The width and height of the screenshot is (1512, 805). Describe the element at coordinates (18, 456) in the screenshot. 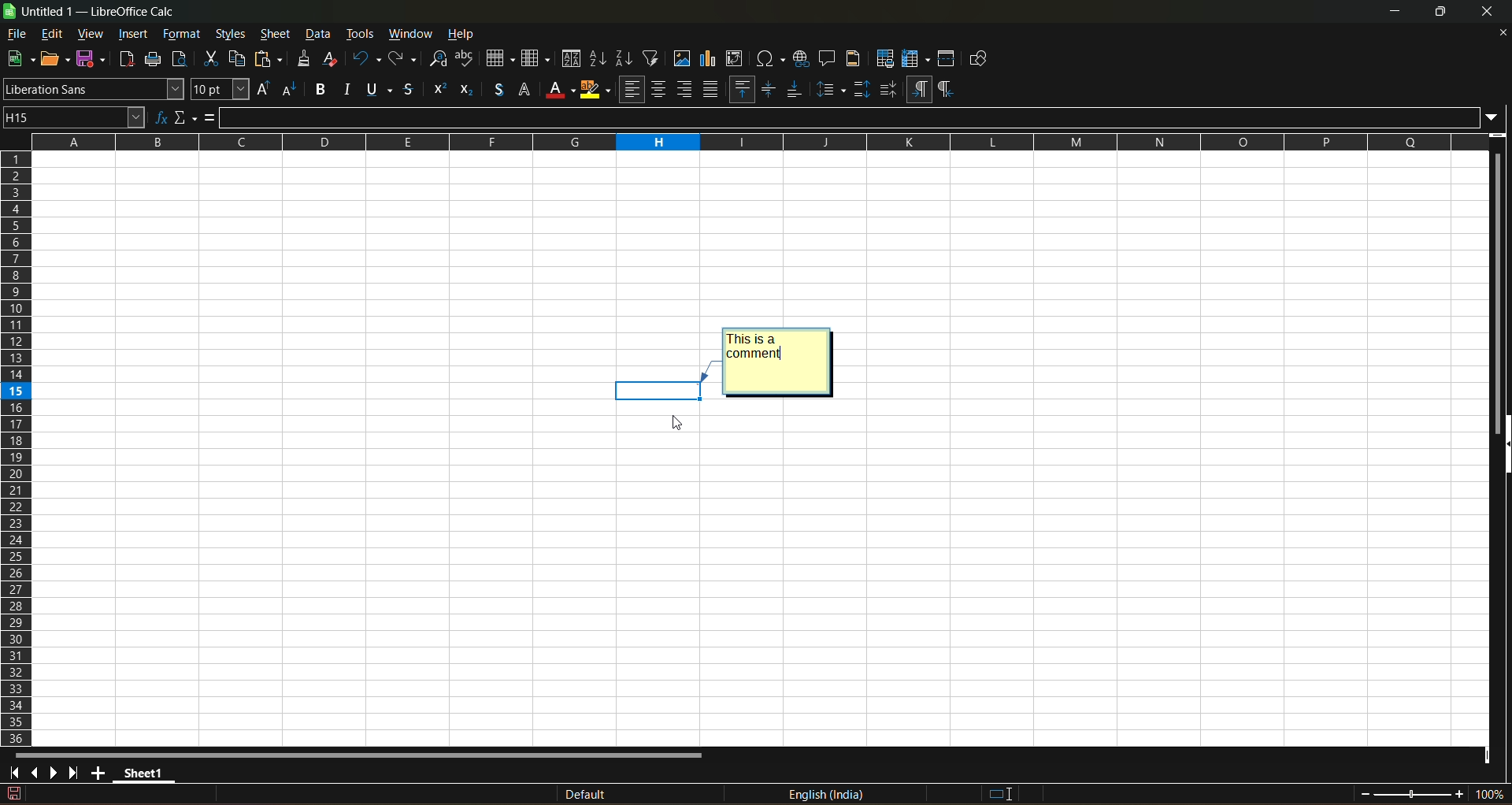

I see `columns` at that location.